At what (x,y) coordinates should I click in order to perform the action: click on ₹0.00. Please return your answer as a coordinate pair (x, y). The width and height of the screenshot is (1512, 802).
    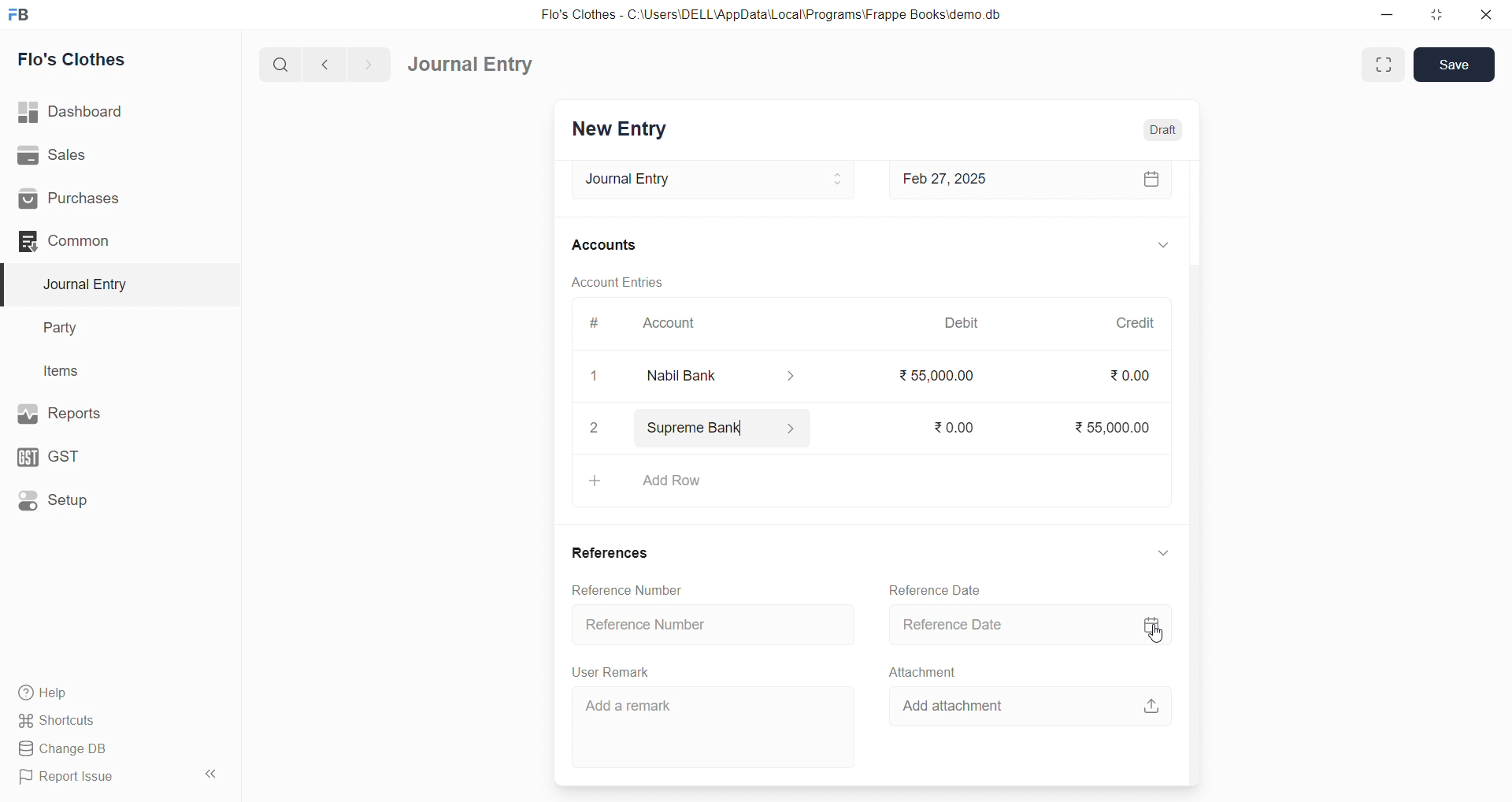
    Looking at the image, I should click on (1126, 375).